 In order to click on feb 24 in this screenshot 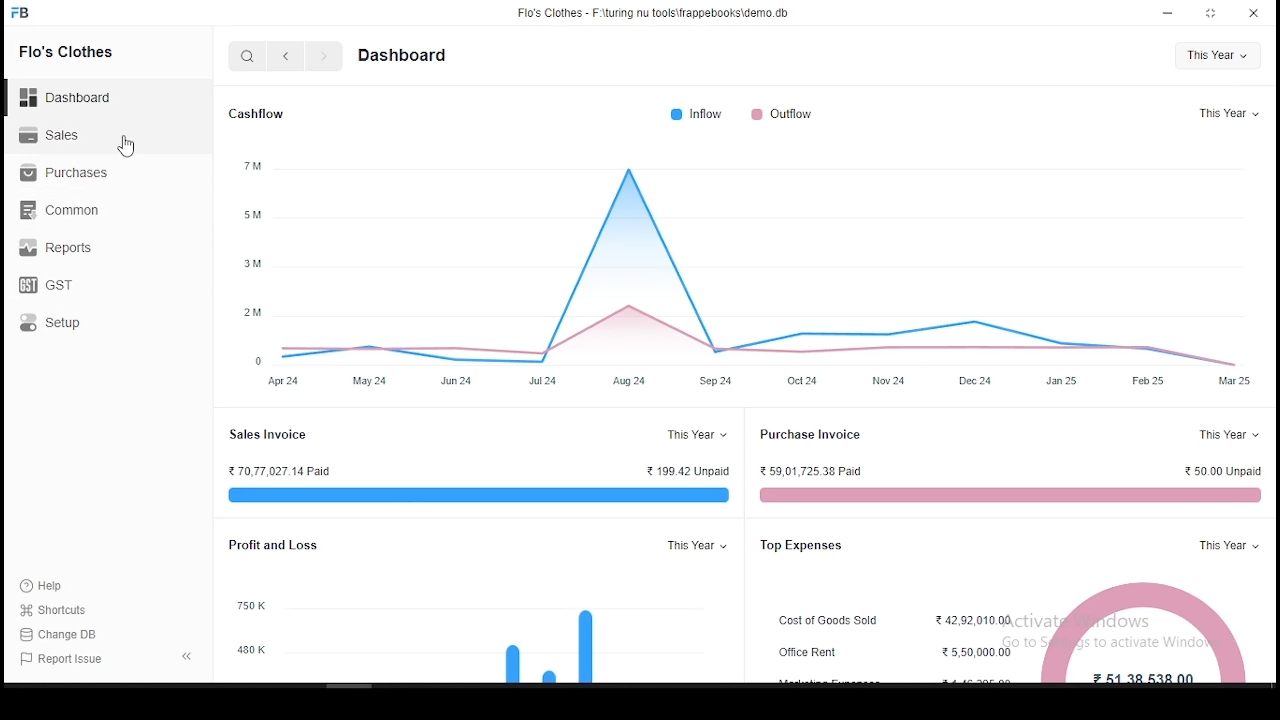, I will do `click(1152, 380)`.